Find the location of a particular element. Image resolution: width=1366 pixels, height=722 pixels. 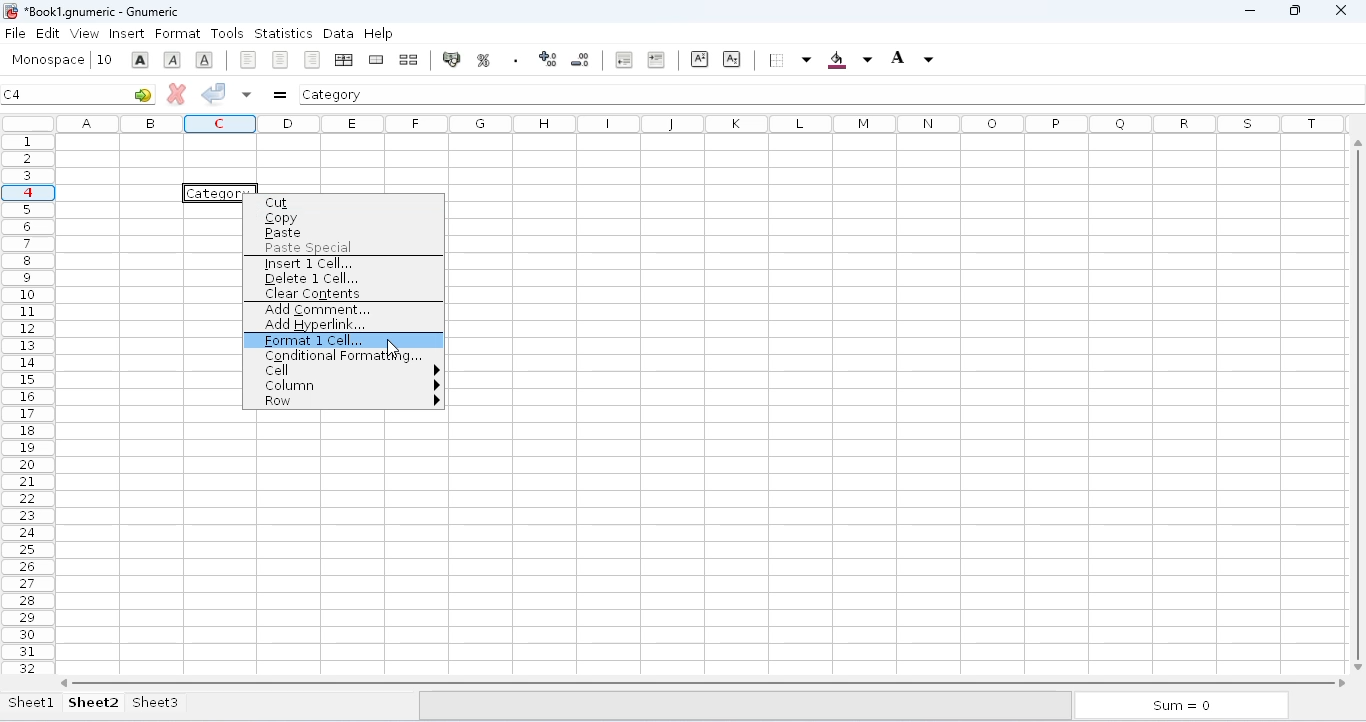

cell is located at coordinates (348, 370).